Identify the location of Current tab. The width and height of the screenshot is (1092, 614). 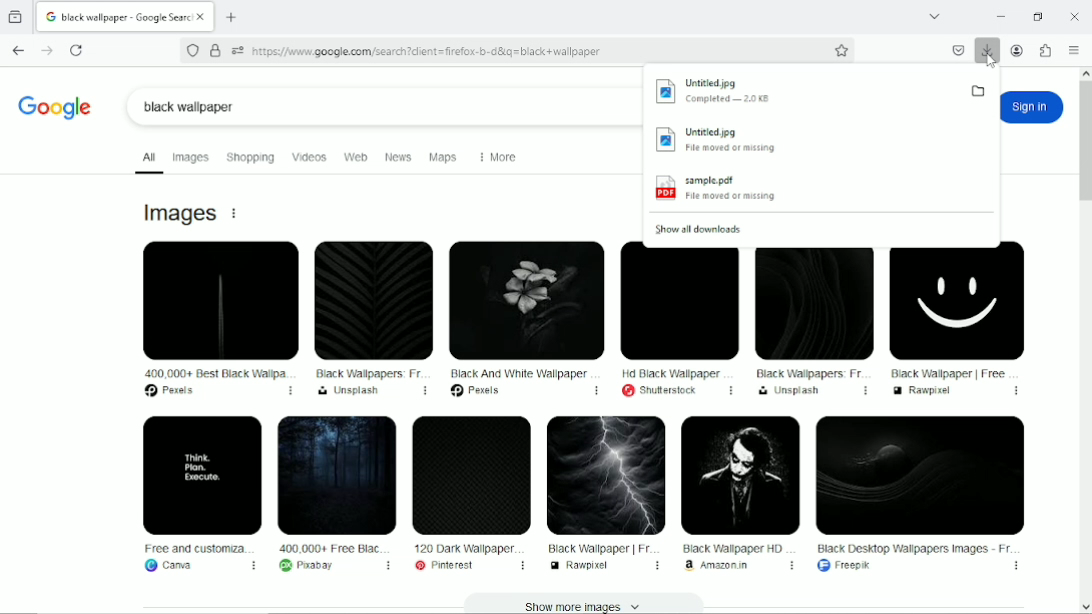
(118, 16).